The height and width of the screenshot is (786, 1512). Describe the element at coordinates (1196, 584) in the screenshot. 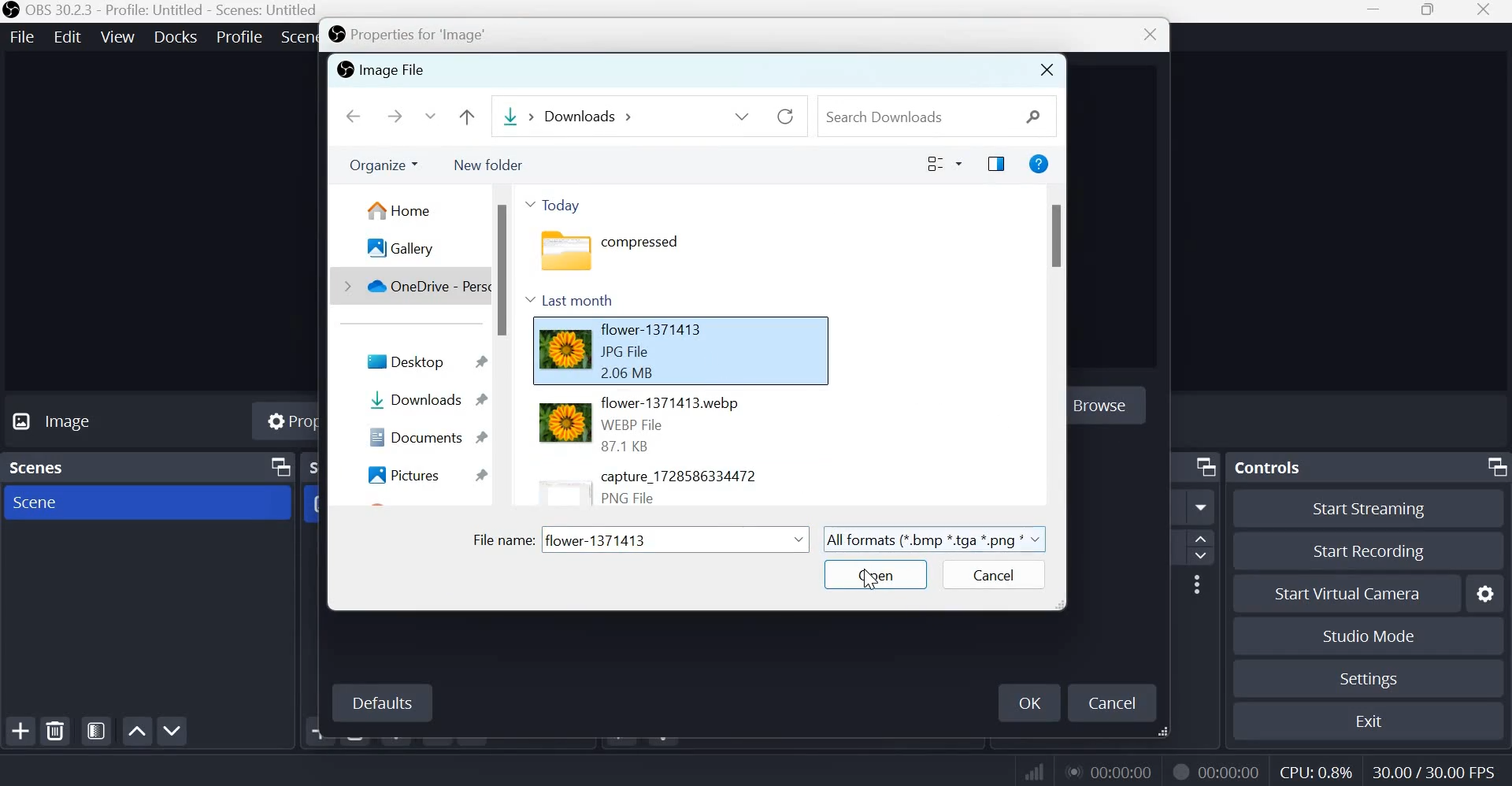

I see `More Options ` at that location.